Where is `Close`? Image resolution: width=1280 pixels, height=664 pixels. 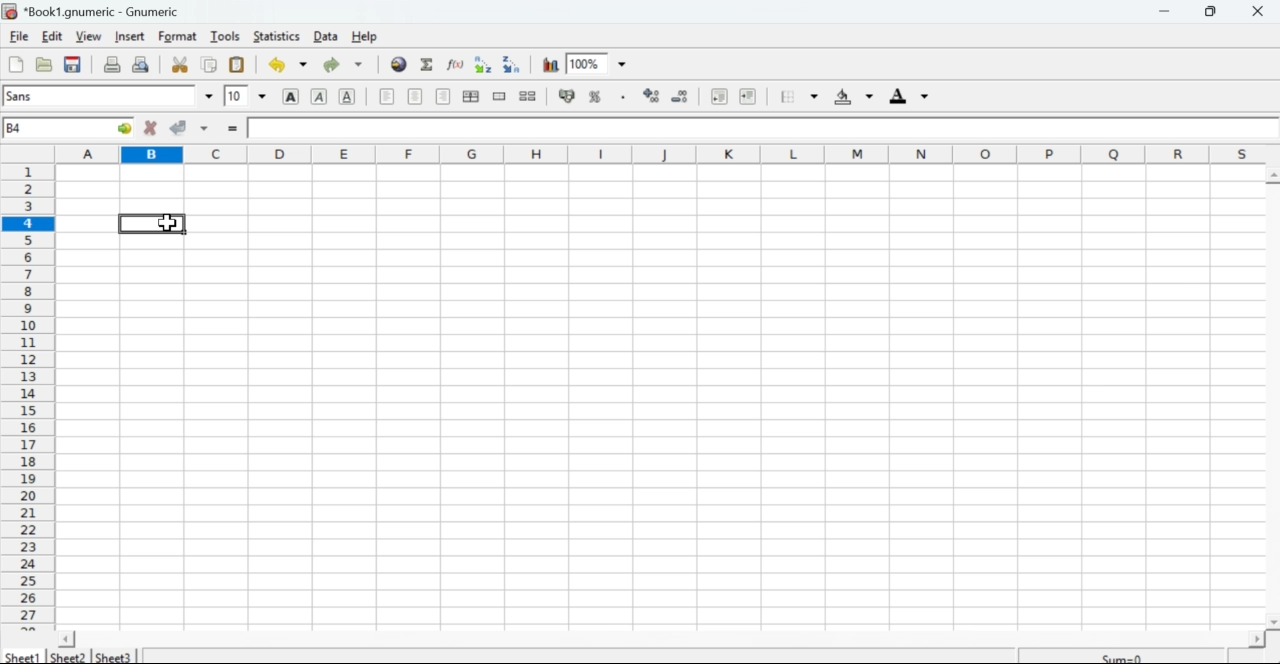
Close is located at coordinates (1261, 12).